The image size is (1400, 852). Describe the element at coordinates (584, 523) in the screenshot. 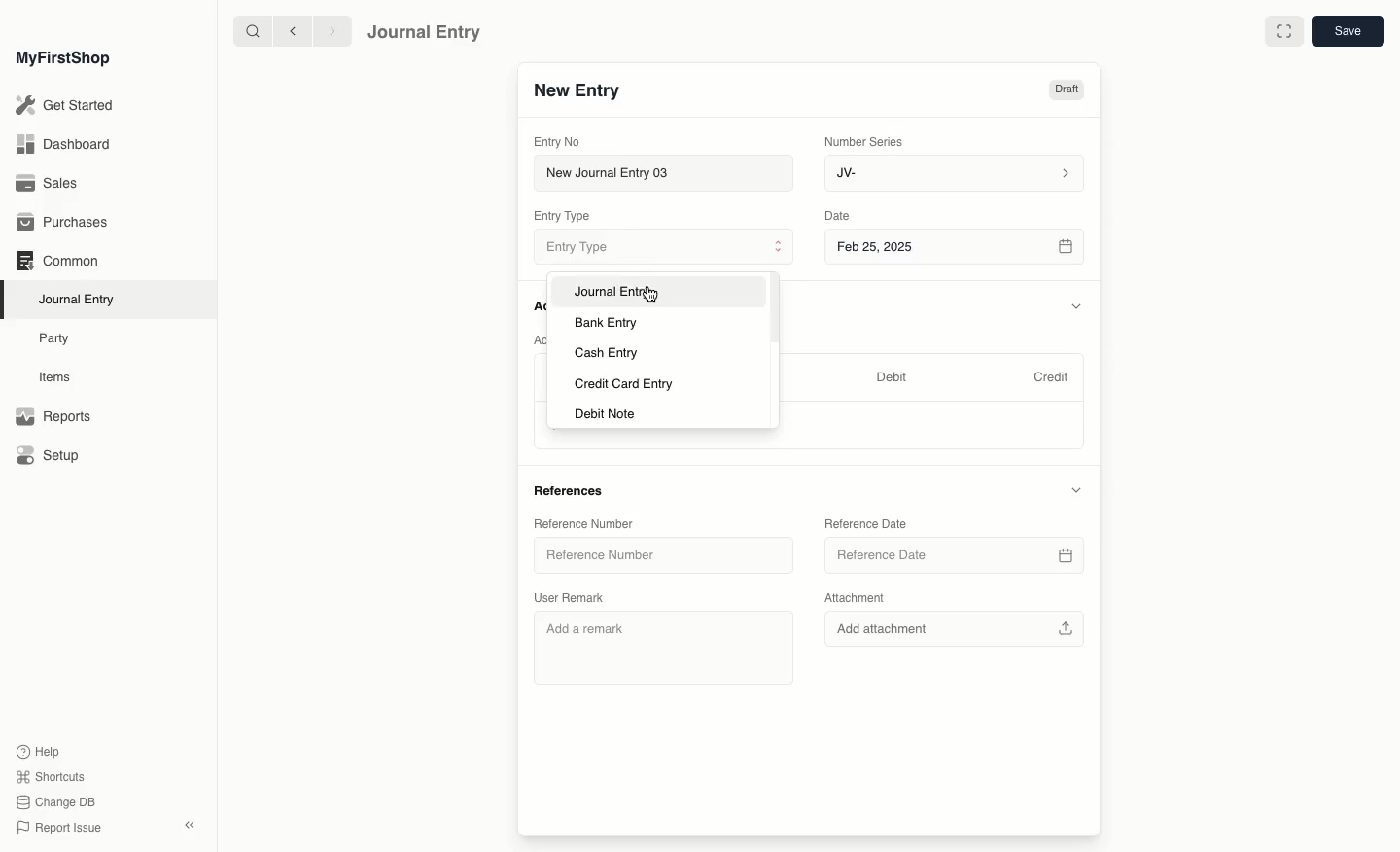

I see `Reference Number` at that location.